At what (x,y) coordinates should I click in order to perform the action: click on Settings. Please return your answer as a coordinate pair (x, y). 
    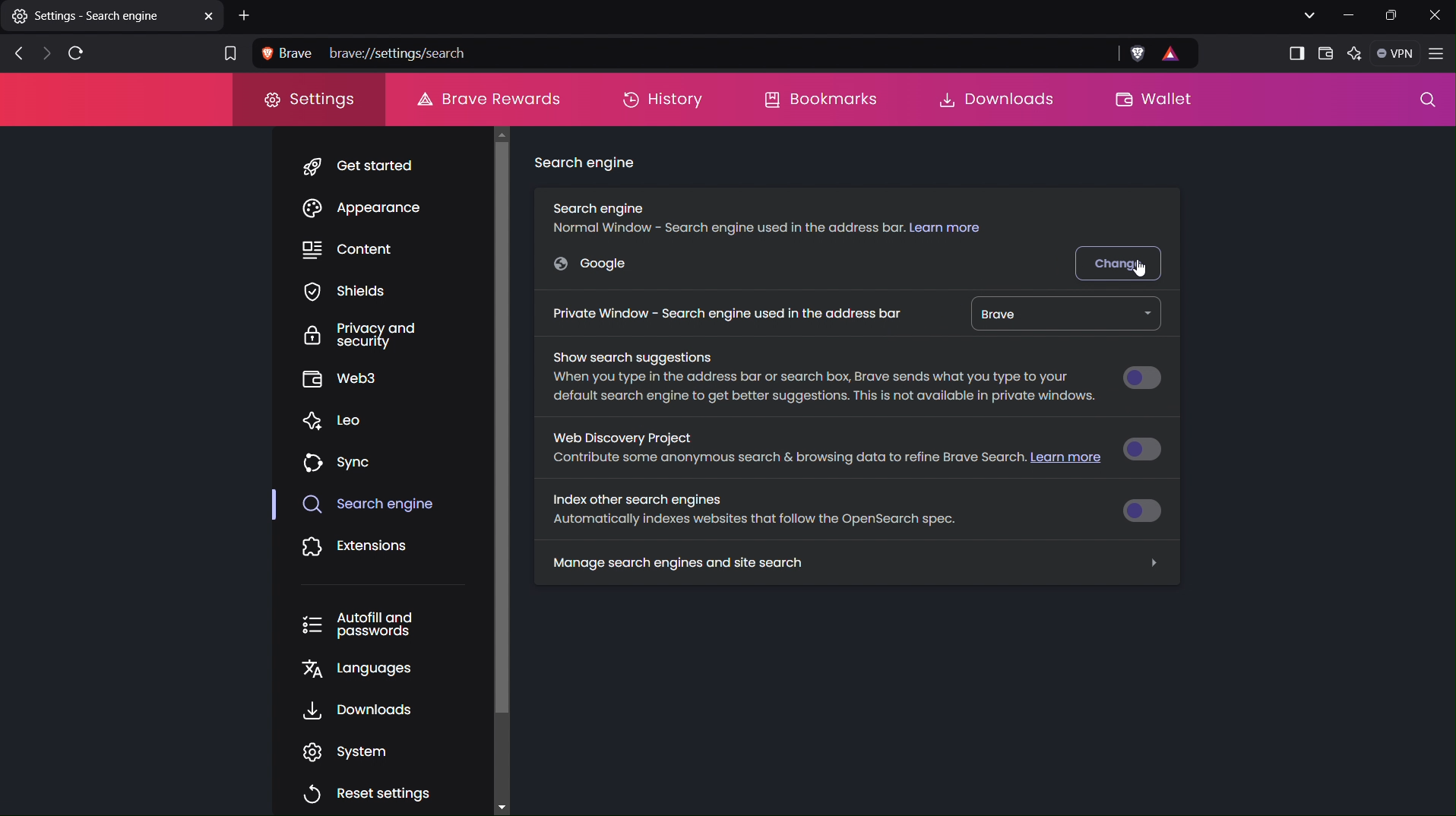
    Looking at the image, I should click on (308, 100).